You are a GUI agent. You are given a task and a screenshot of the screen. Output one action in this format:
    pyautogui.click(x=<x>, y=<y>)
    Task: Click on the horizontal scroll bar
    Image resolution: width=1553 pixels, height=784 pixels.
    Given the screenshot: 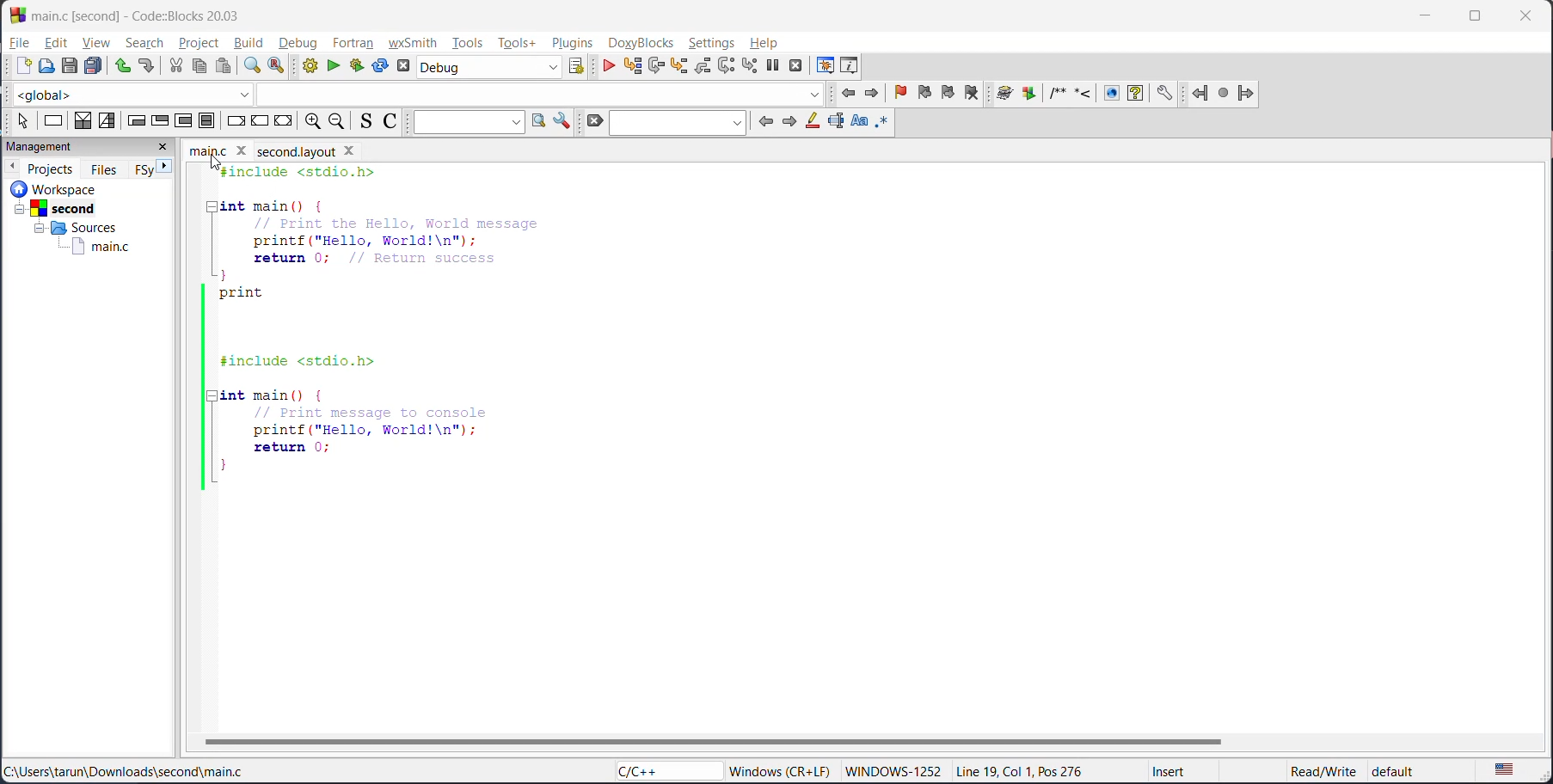 What is the action you would take?
    pyautogui.click(x=710, y=740)
    